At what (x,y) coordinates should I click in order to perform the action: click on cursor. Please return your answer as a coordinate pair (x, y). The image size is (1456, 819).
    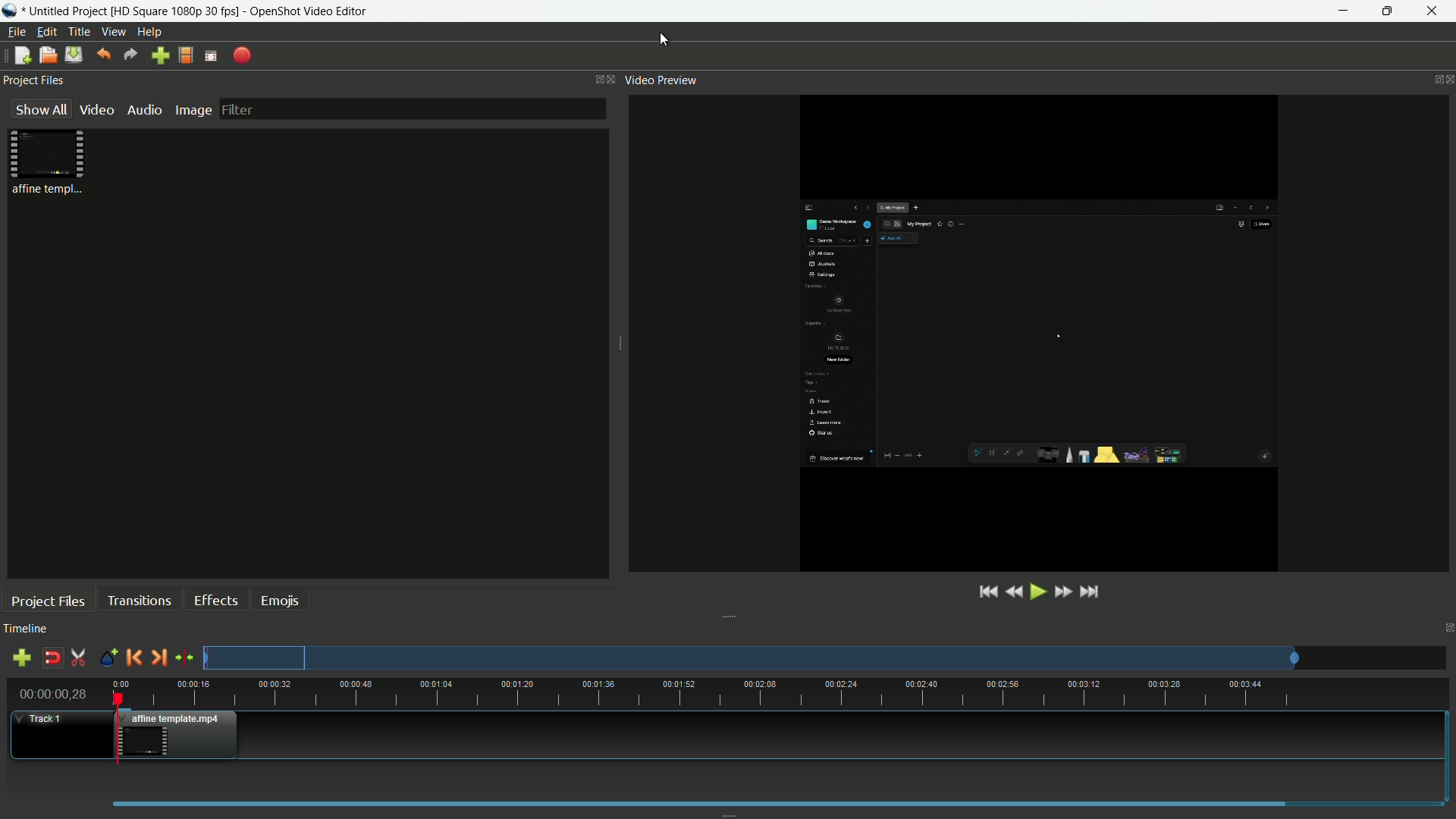
    Looking at the image, I should click on (665, 42).